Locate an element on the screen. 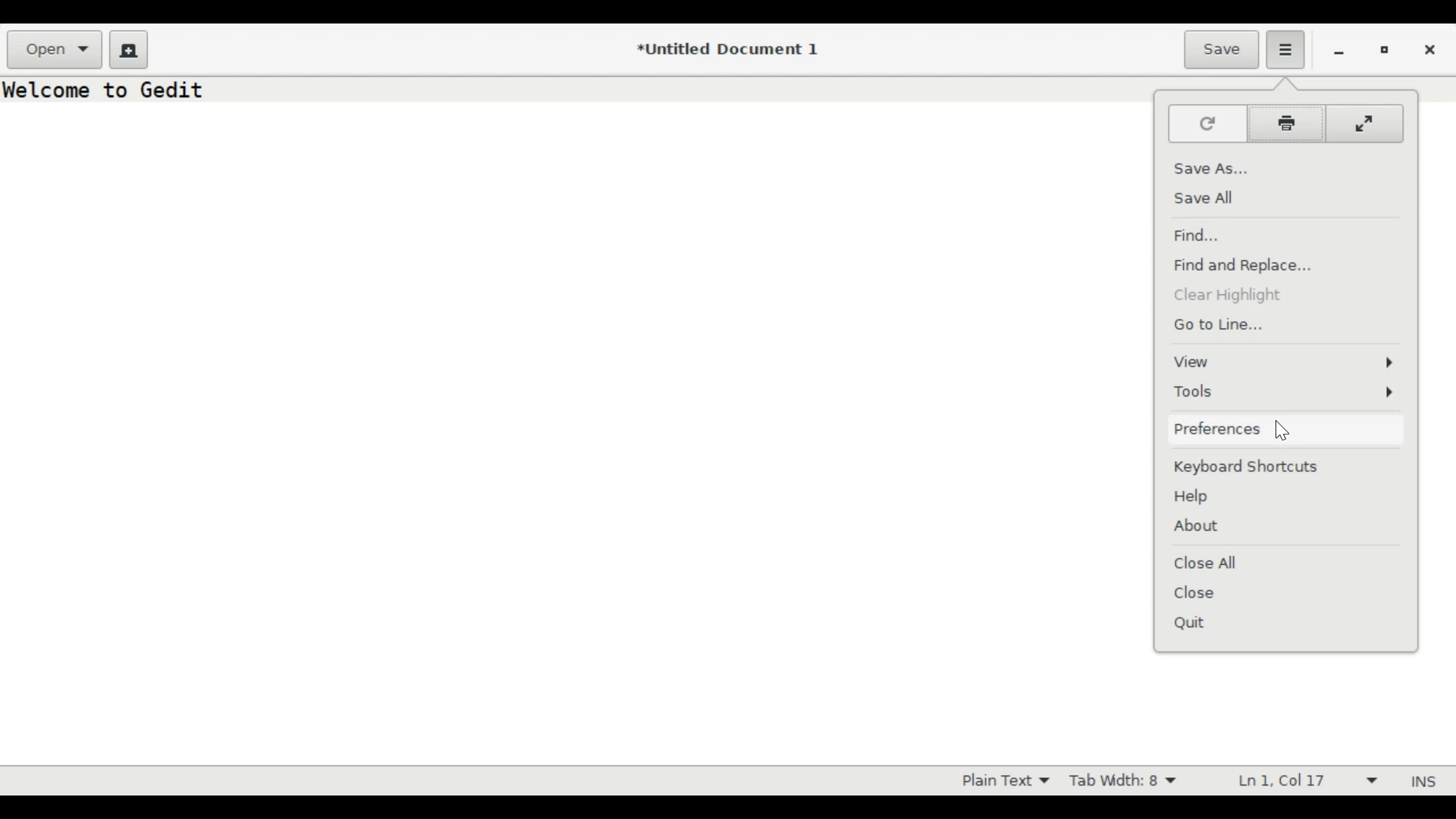 This screenshot has width=1456, height=819. Reload is located at coordinates (1207, 124).